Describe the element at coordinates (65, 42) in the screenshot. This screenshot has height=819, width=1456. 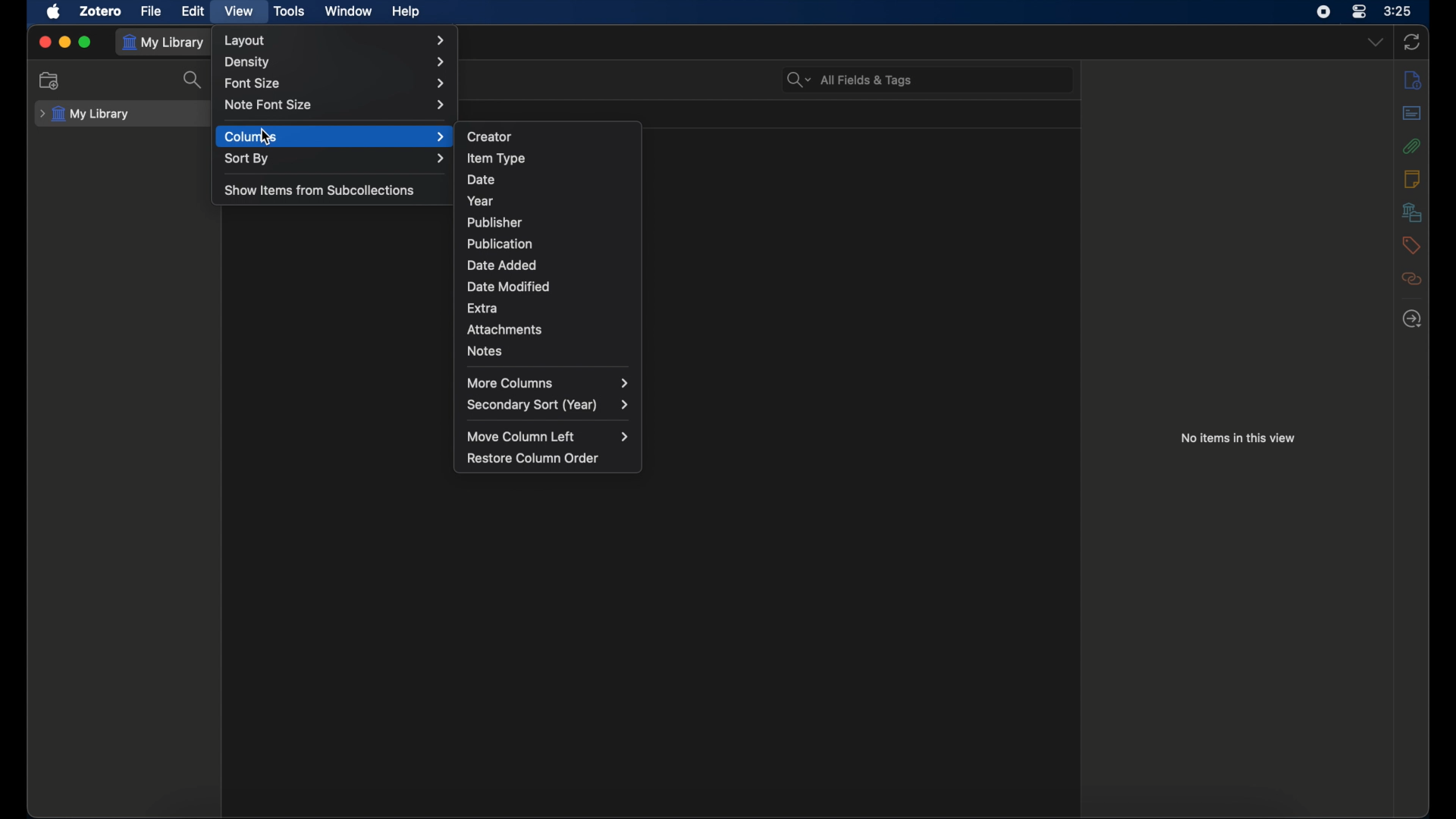
I see `minimize` at that location.